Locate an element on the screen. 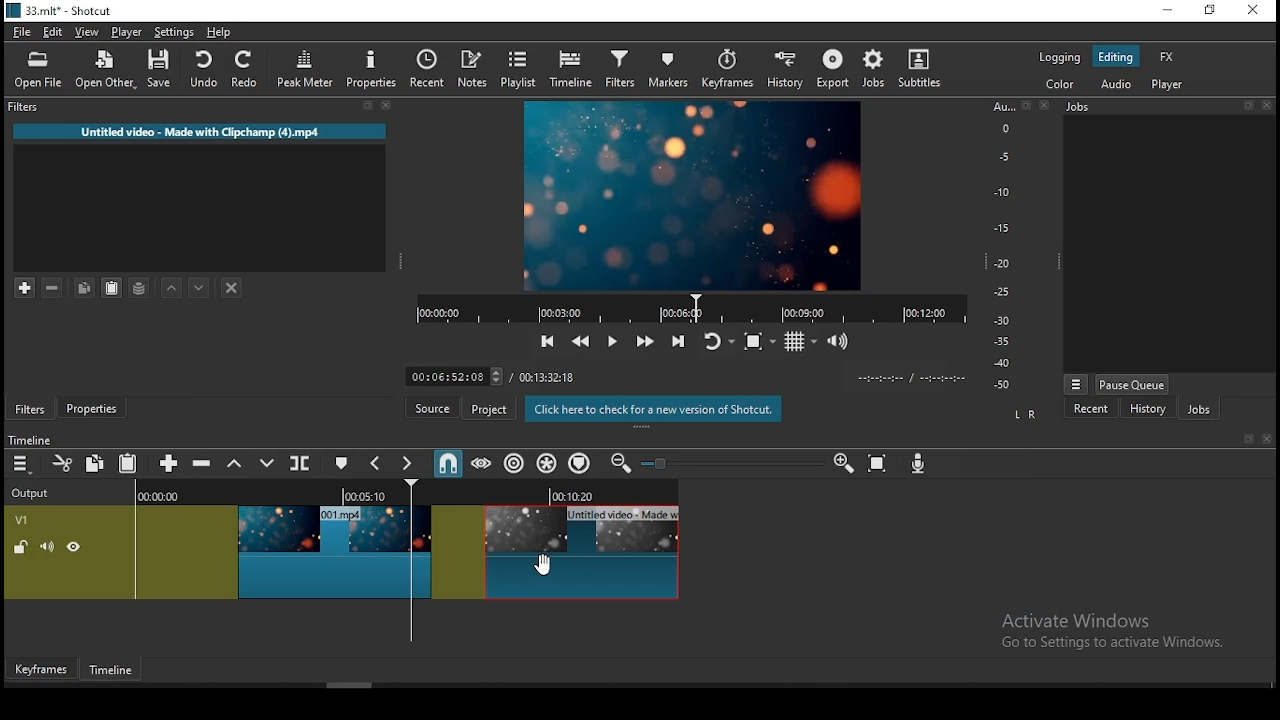 The width and height of the screenshot is (1280, 720). playlist is located at coordinates (520, 71).